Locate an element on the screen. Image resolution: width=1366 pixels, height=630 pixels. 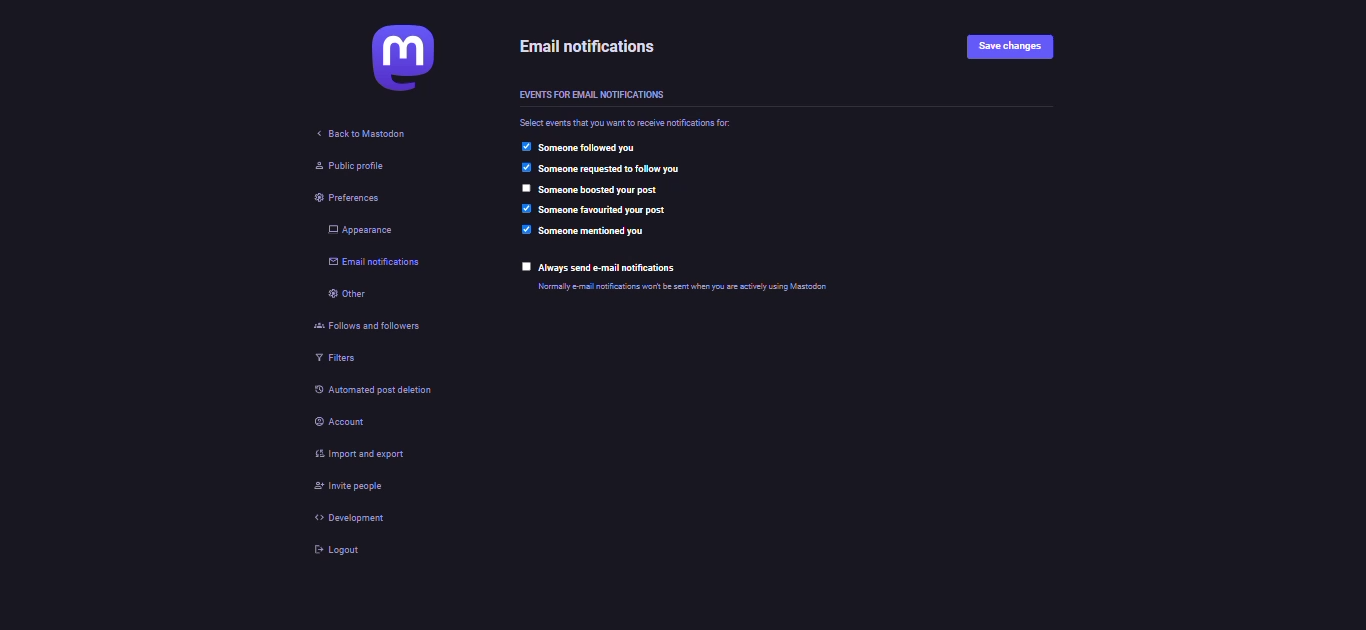
follows and followers is located at coordinates (365, 325).